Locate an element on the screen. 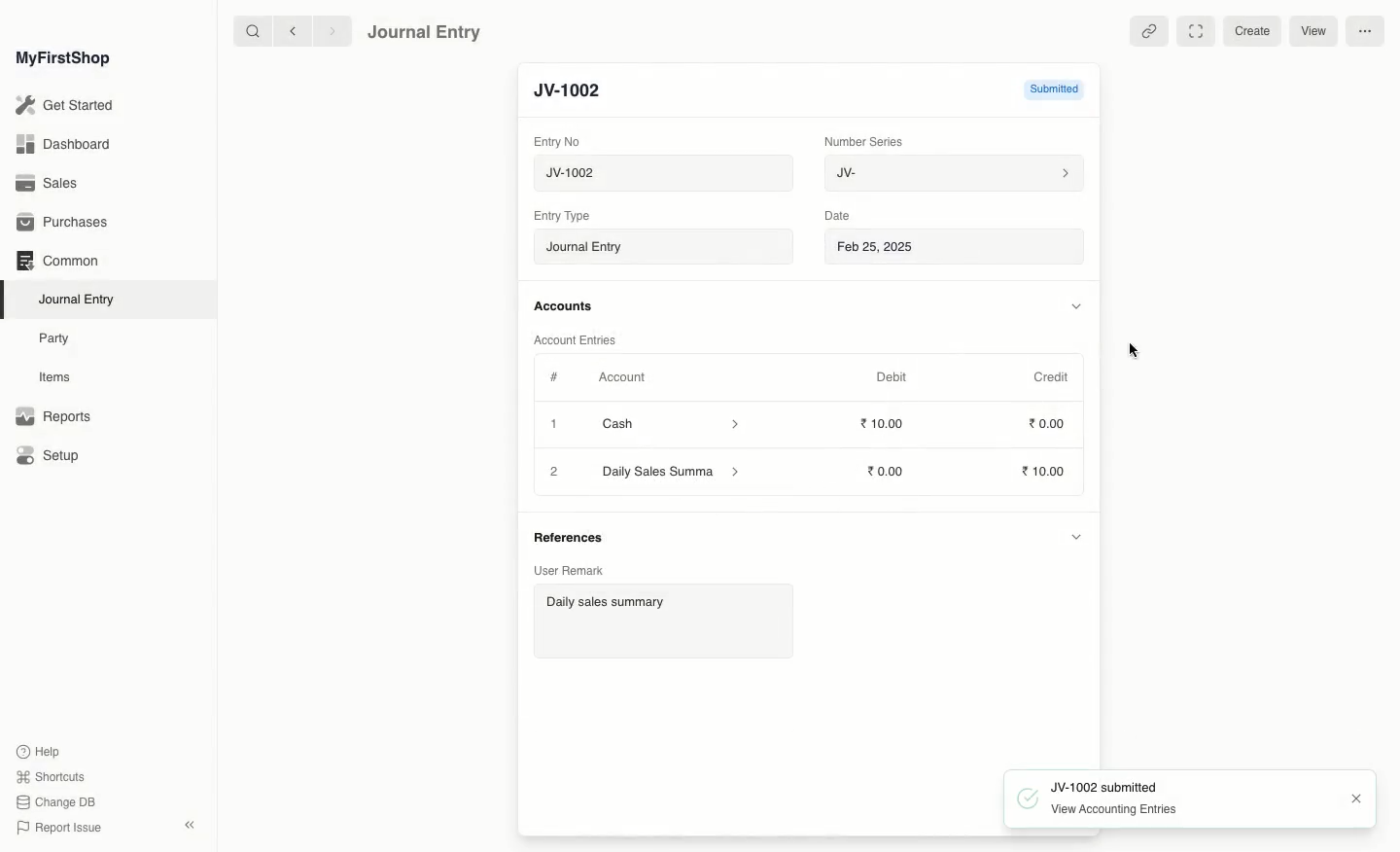 This screenshot has width=1400, height=852. Help is located at coordinates (36, 750).